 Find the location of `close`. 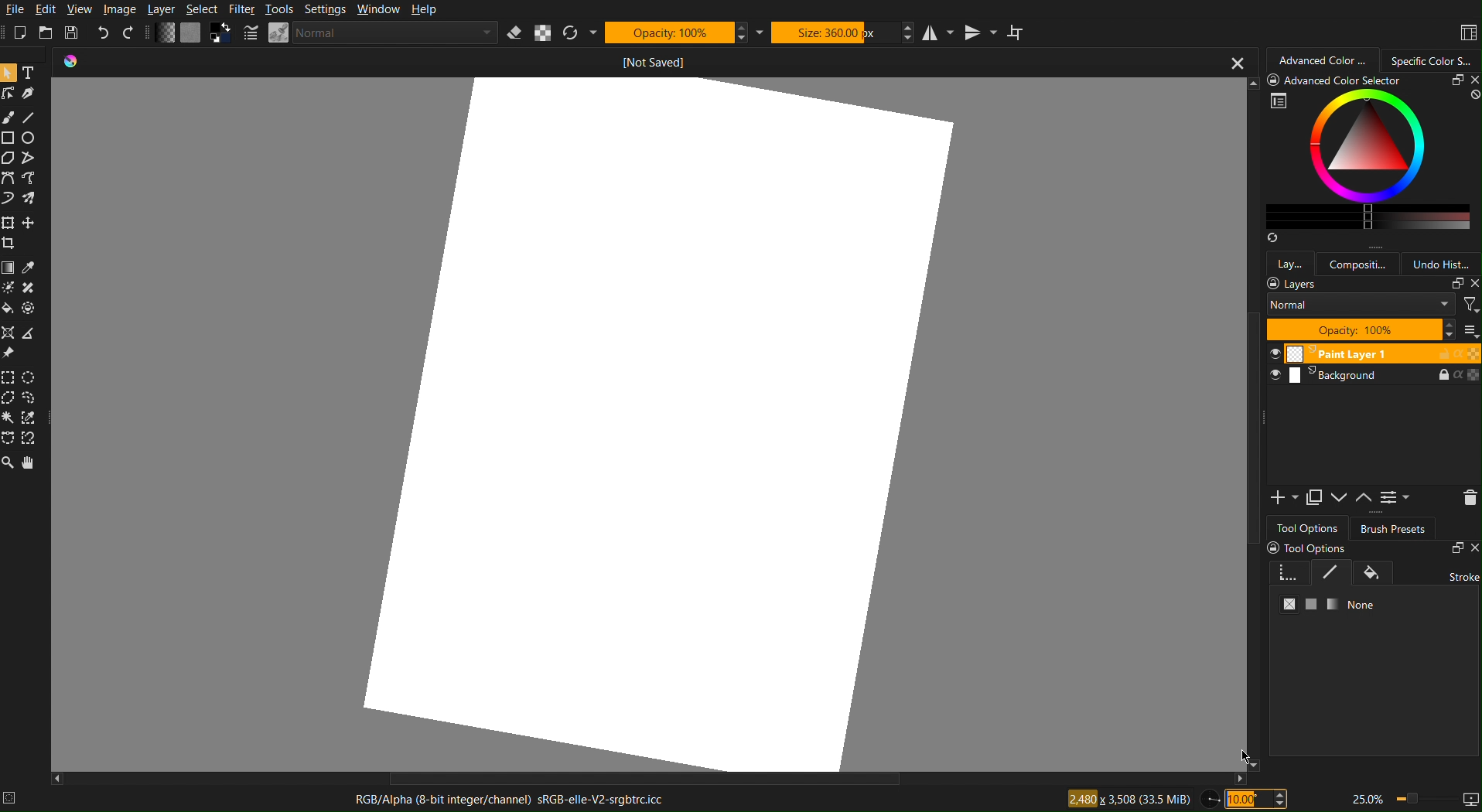

close is located at coordinates (1471, 285).